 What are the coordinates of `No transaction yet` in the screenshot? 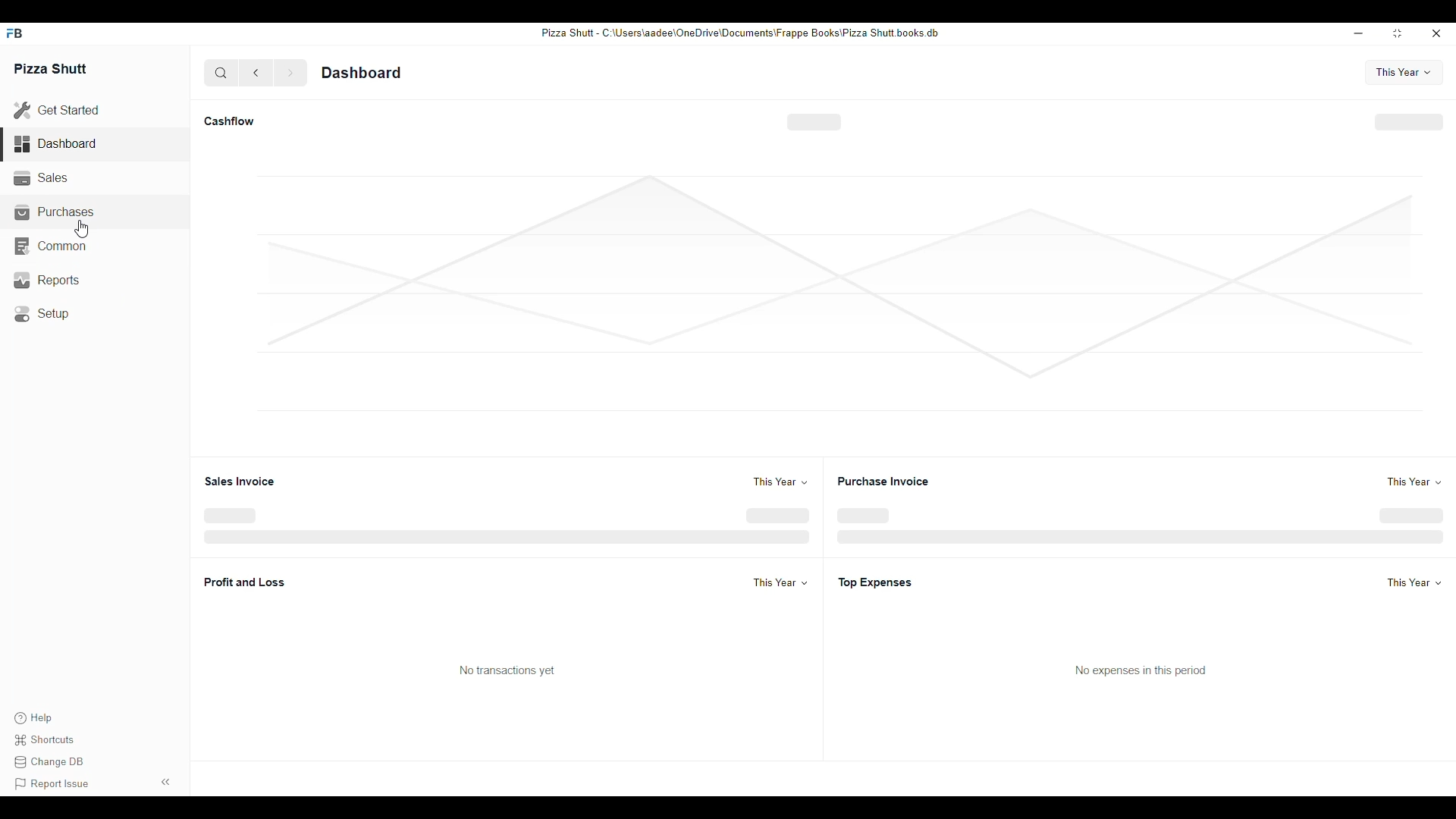 It's located at (509, 670).